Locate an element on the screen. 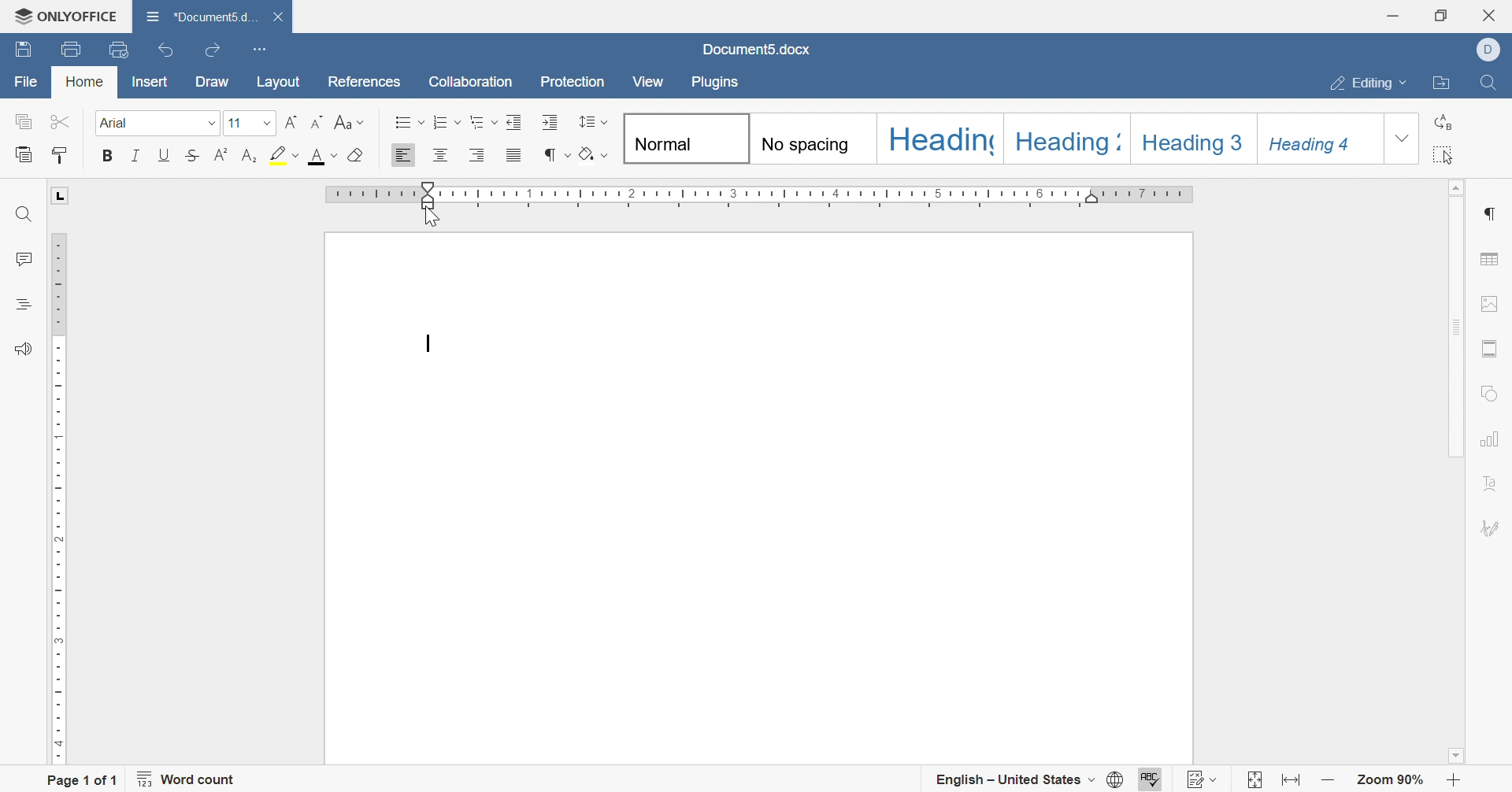 This screenshot has height=792, width=1512. types of headings is located at coordinates (1002, 139).